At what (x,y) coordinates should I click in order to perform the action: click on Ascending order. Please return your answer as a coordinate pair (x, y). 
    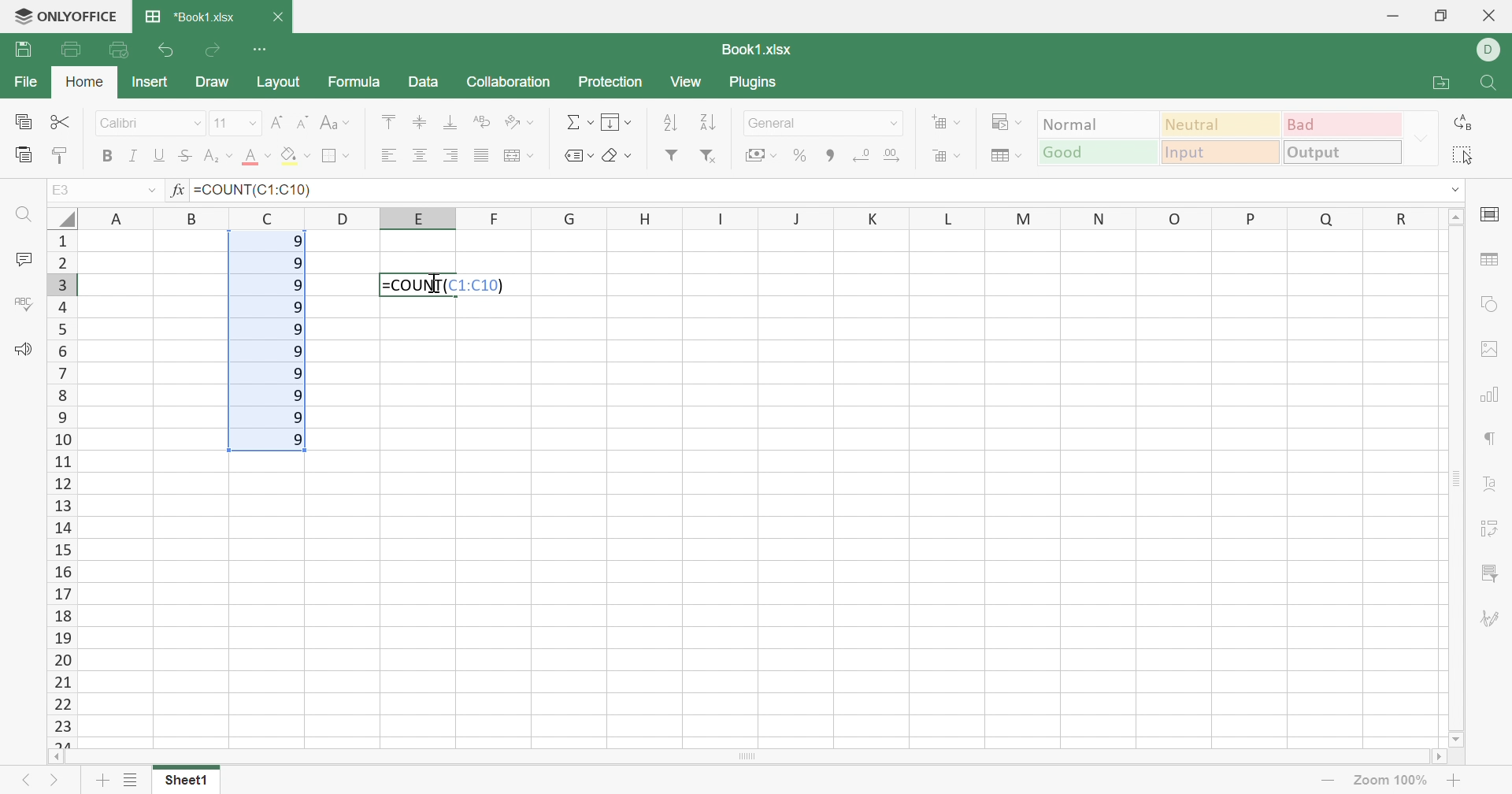
    Looking at the image, I should click on (670, 124).